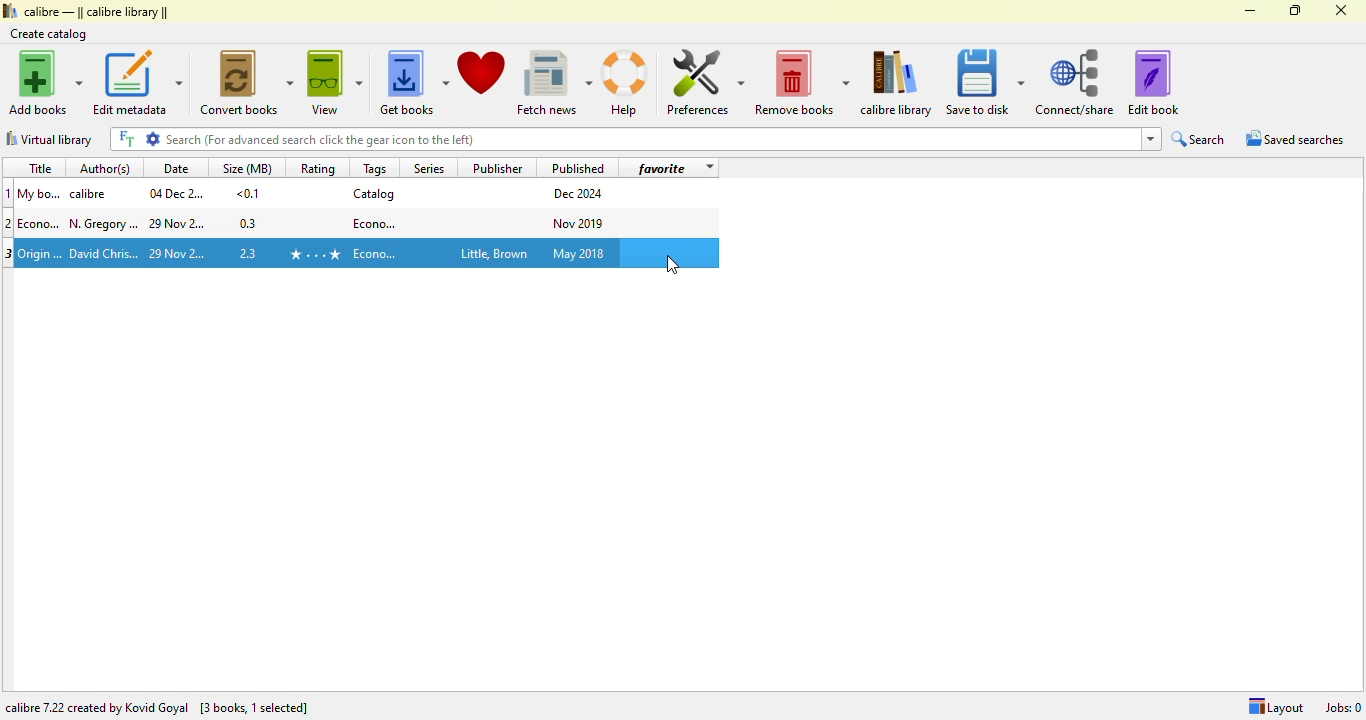  Describe the element at coordinates (377, 254) in the screenshot. I see `tag` at that location.